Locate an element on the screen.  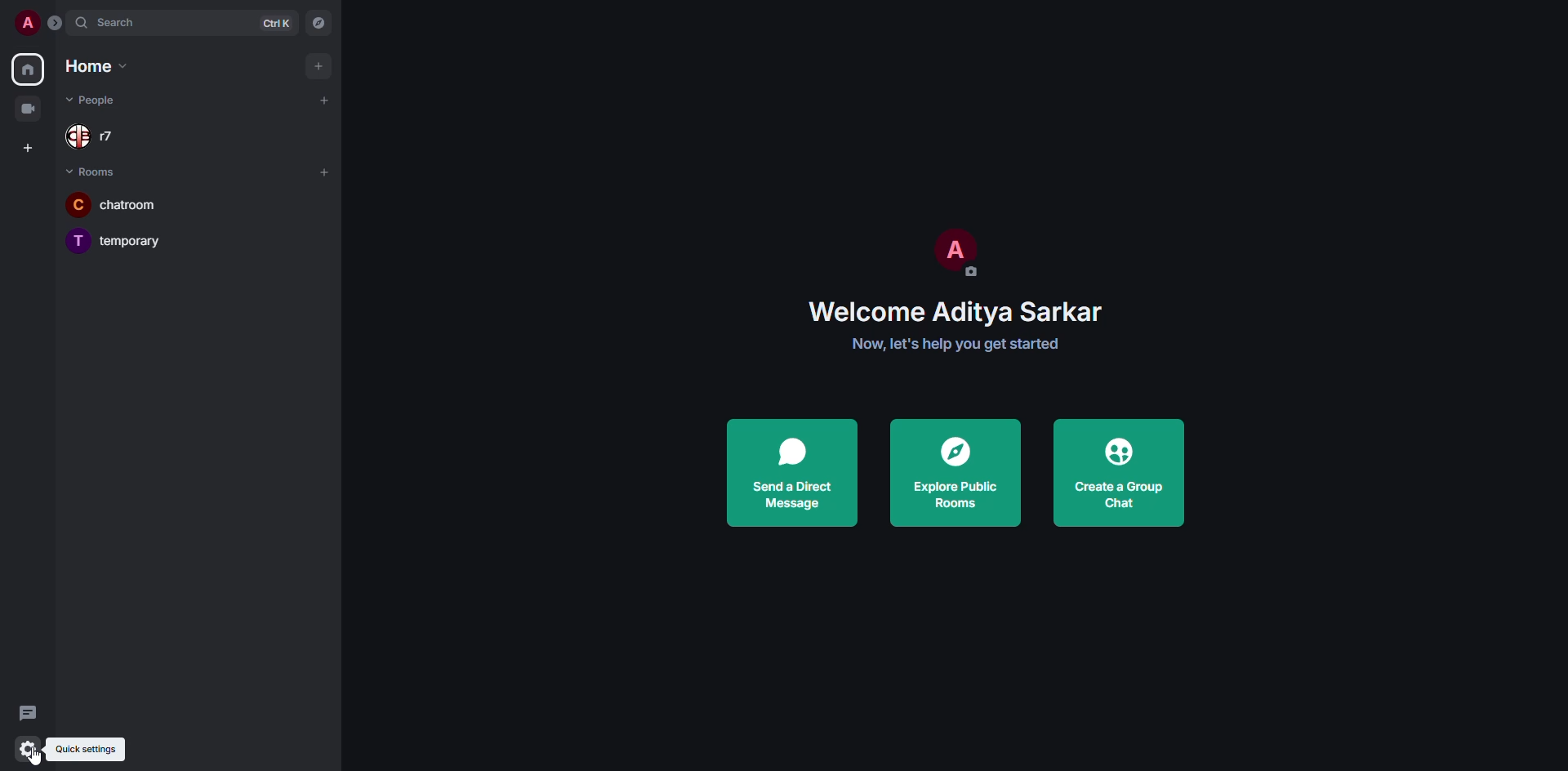
home is located at coordinates (28, 69).